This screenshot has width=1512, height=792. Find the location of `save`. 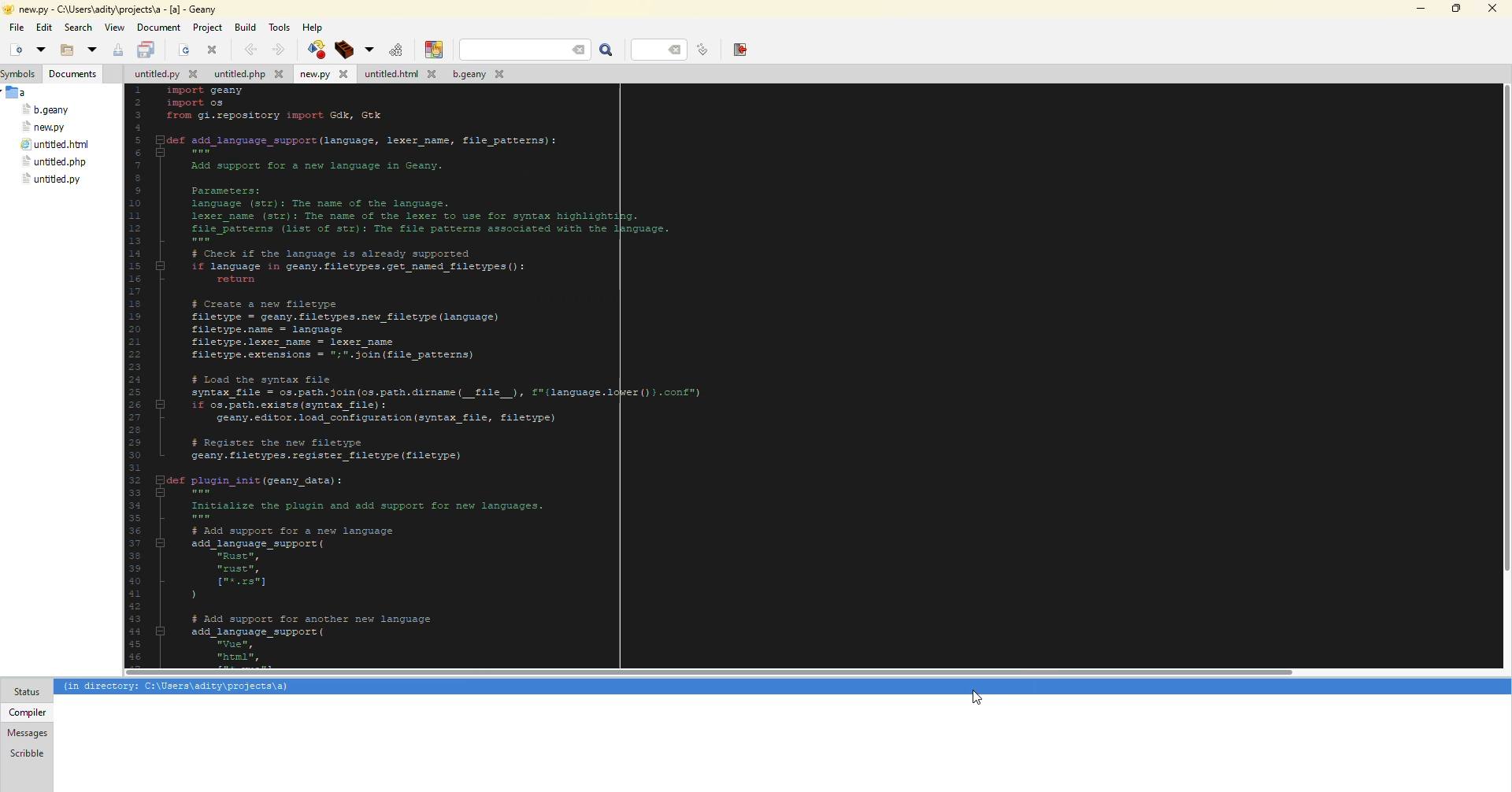

save is located at coordinates (118, 50).